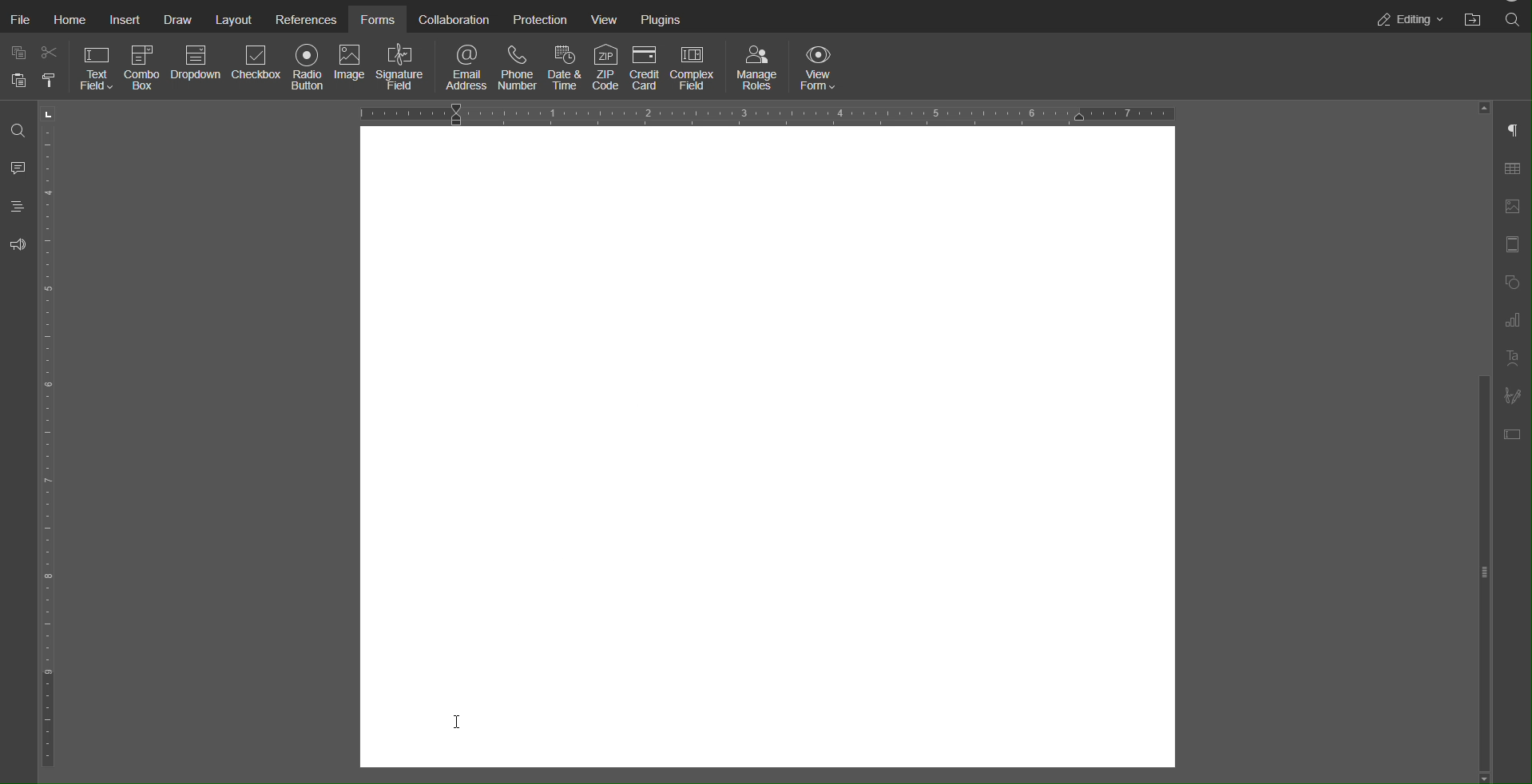 The width and height of the screenshot is (1532, 784). What do you see at coordinates (234, 18) in the screenshot?
I see `Layout` at bounding box center [234, 18].